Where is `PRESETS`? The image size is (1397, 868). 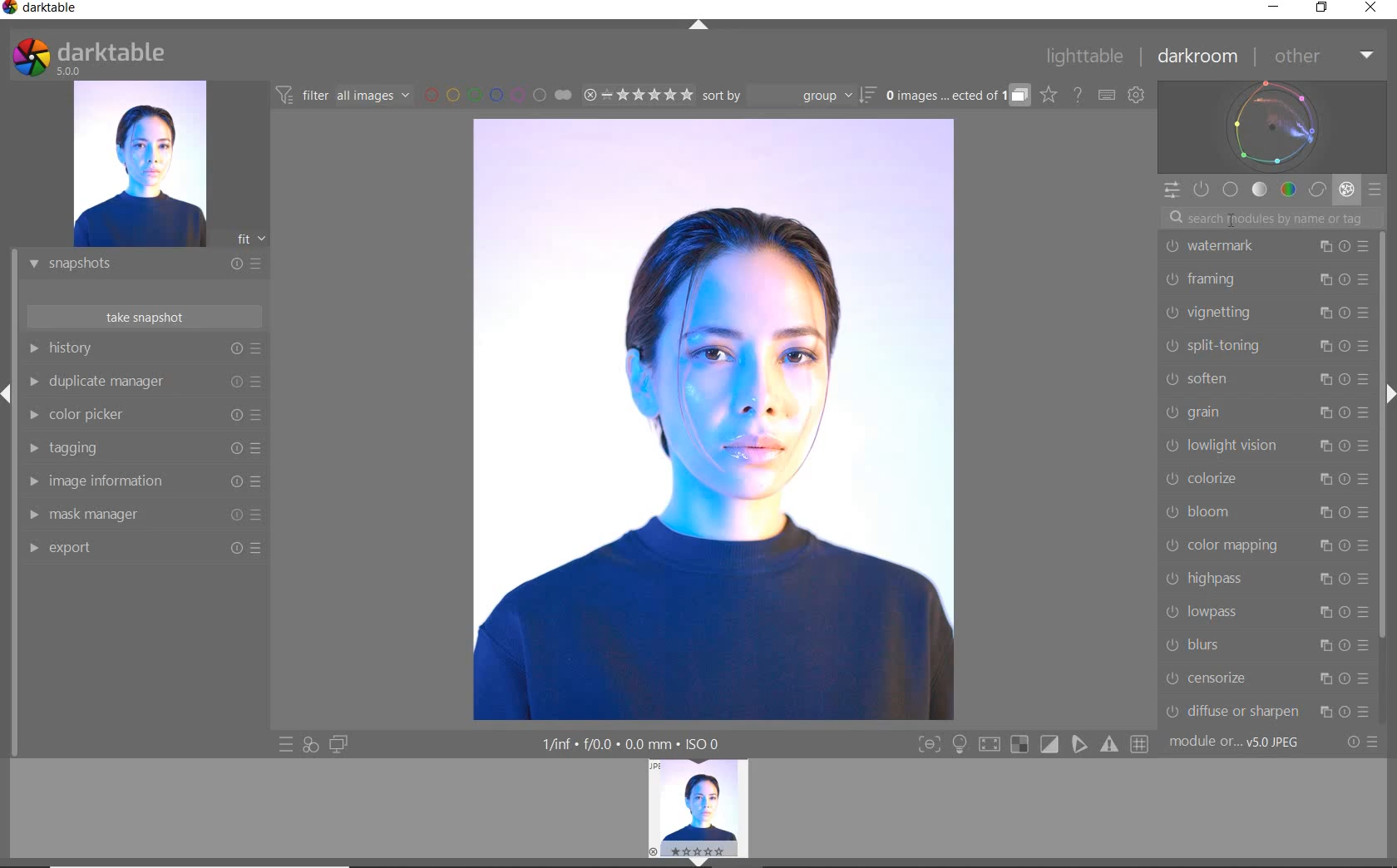
PRESETS is located at coordinates (1375, 189).